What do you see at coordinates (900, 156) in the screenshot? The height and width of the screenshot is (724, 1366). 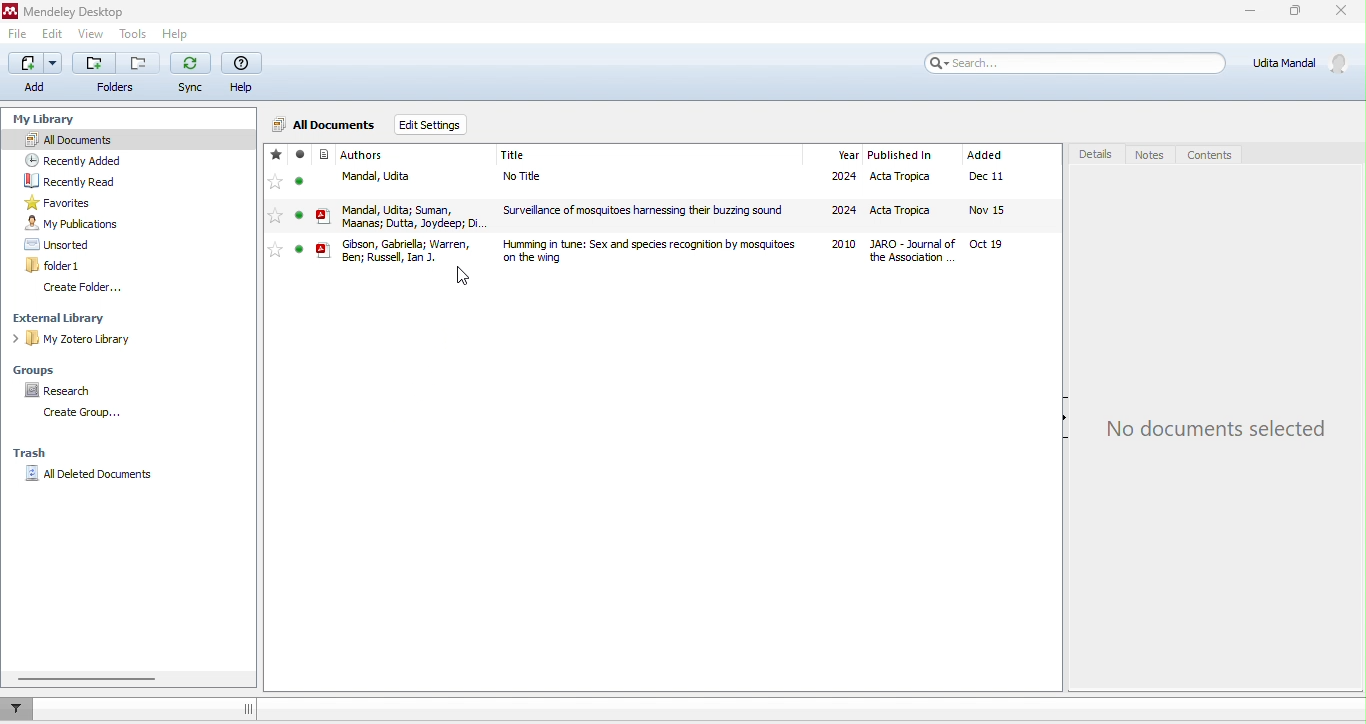 I see `published in` at bounding box center [900, 156].